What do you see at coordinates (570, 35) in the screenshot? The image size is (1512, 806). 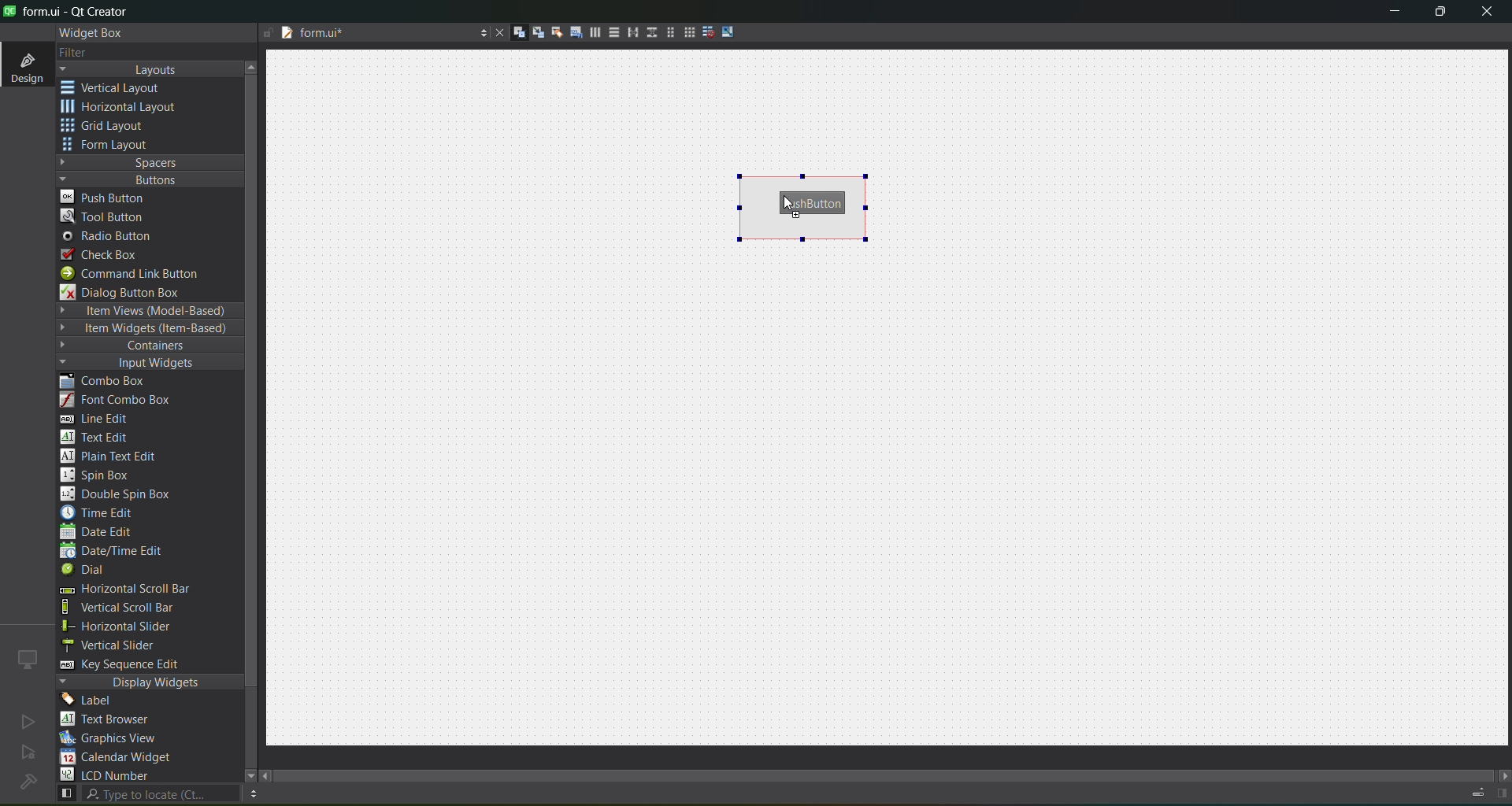 I see `edit tab` at bounding box center [570, 35].